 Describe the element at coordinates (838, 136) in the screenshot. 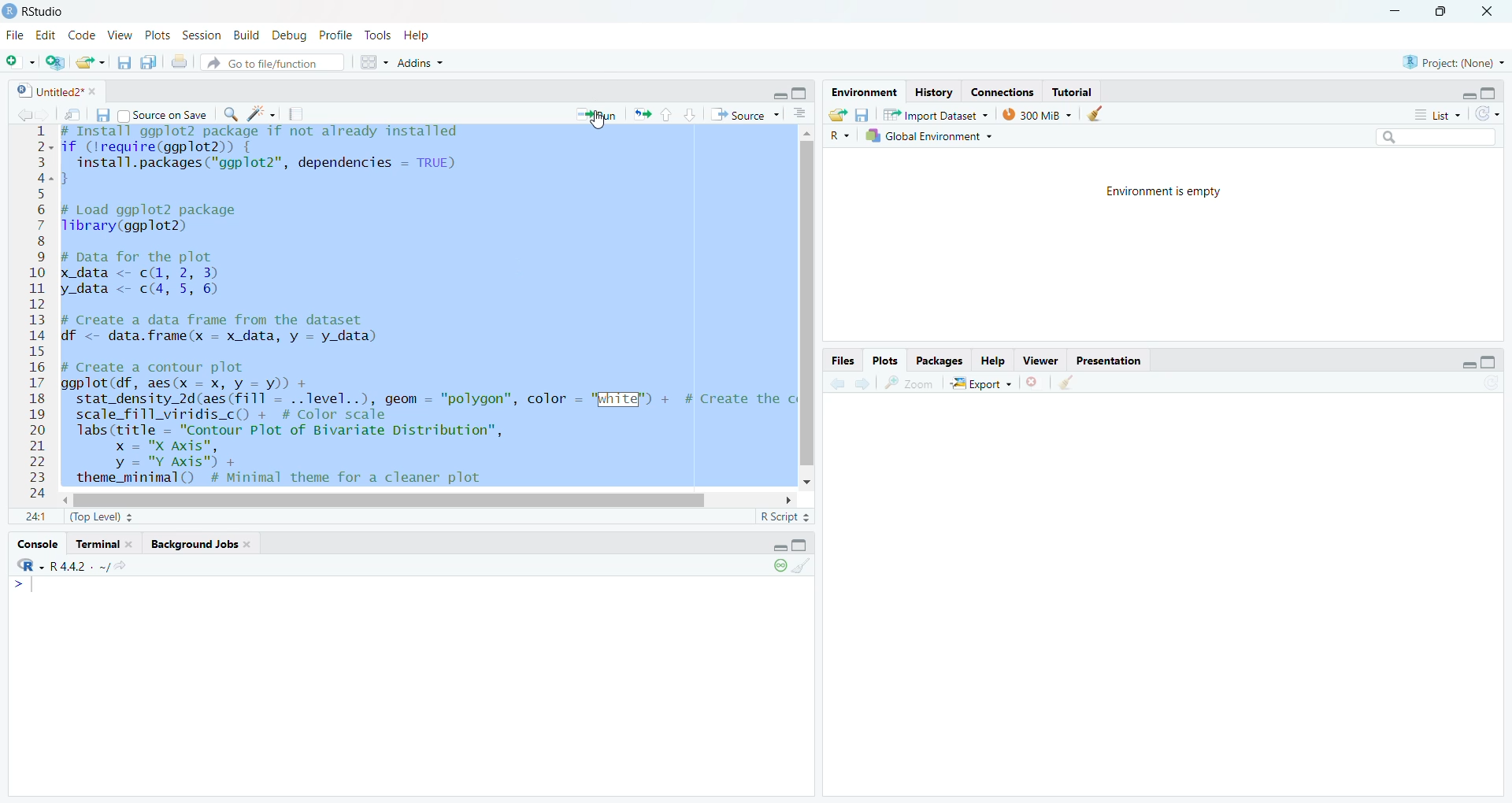

I see `R` at that location.